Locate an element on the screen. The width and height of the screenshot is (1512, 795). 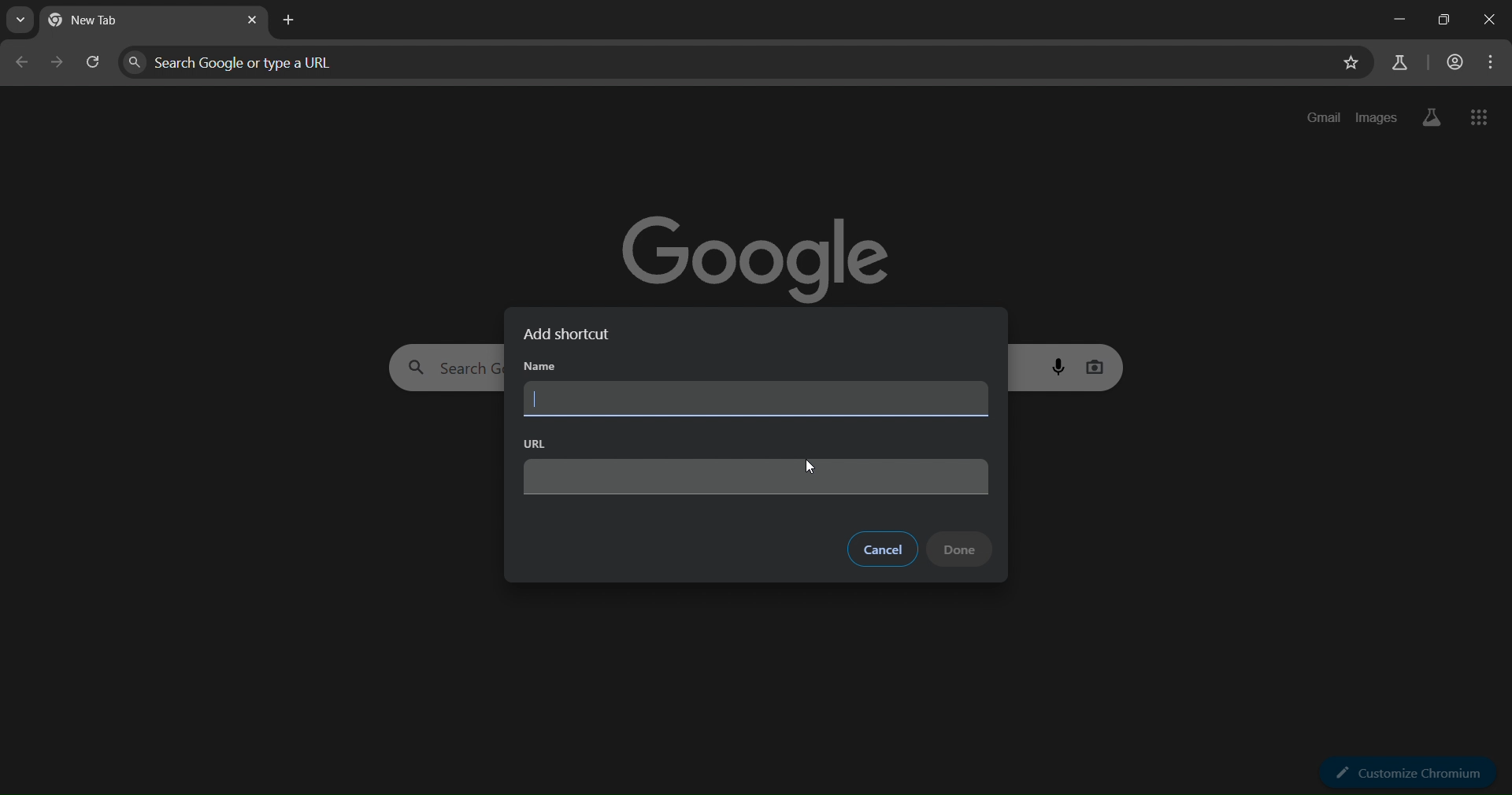
new tab is located at coordinates (292, 20).